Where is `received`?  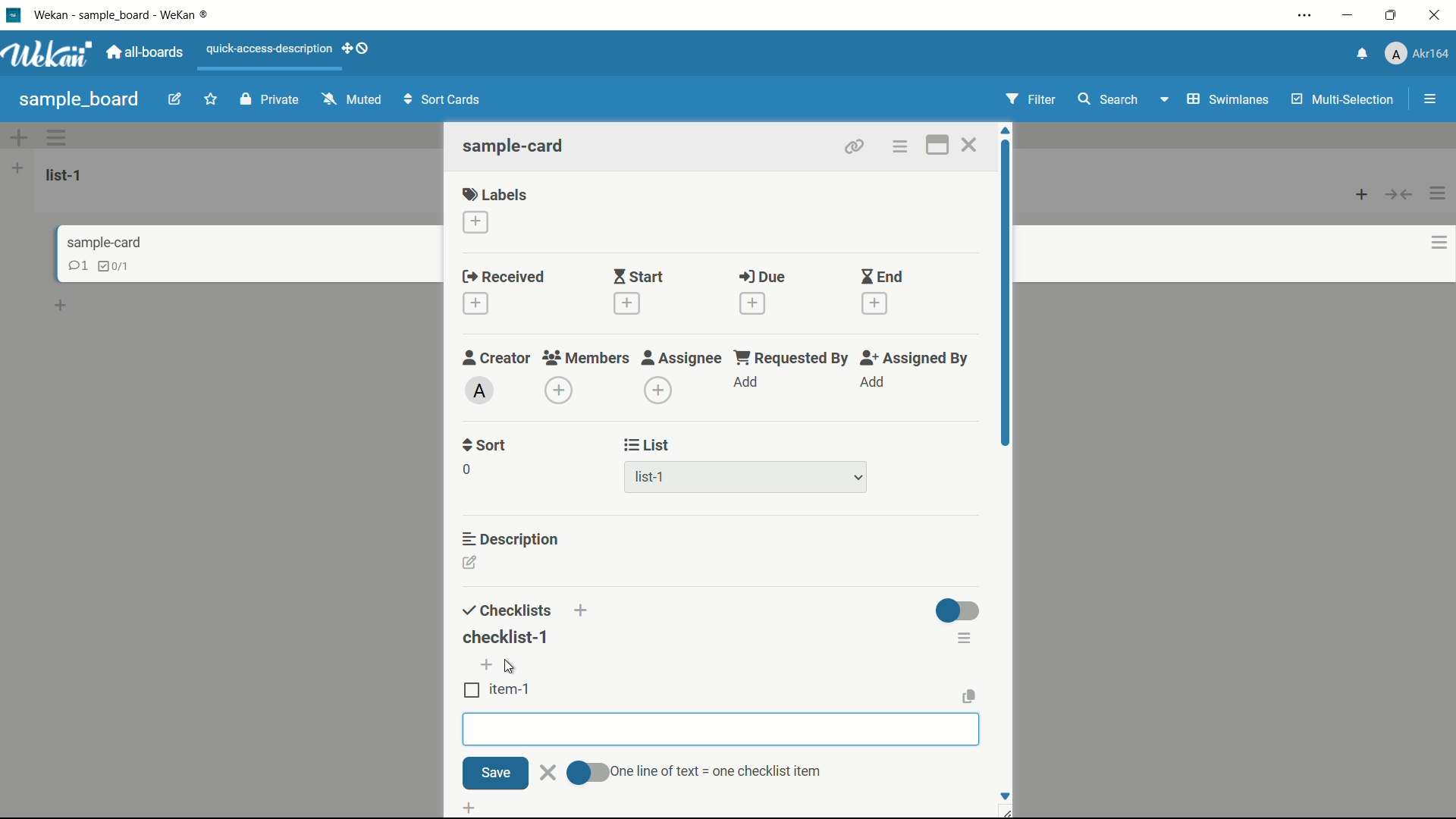
received is located at coordinates (500, 277).